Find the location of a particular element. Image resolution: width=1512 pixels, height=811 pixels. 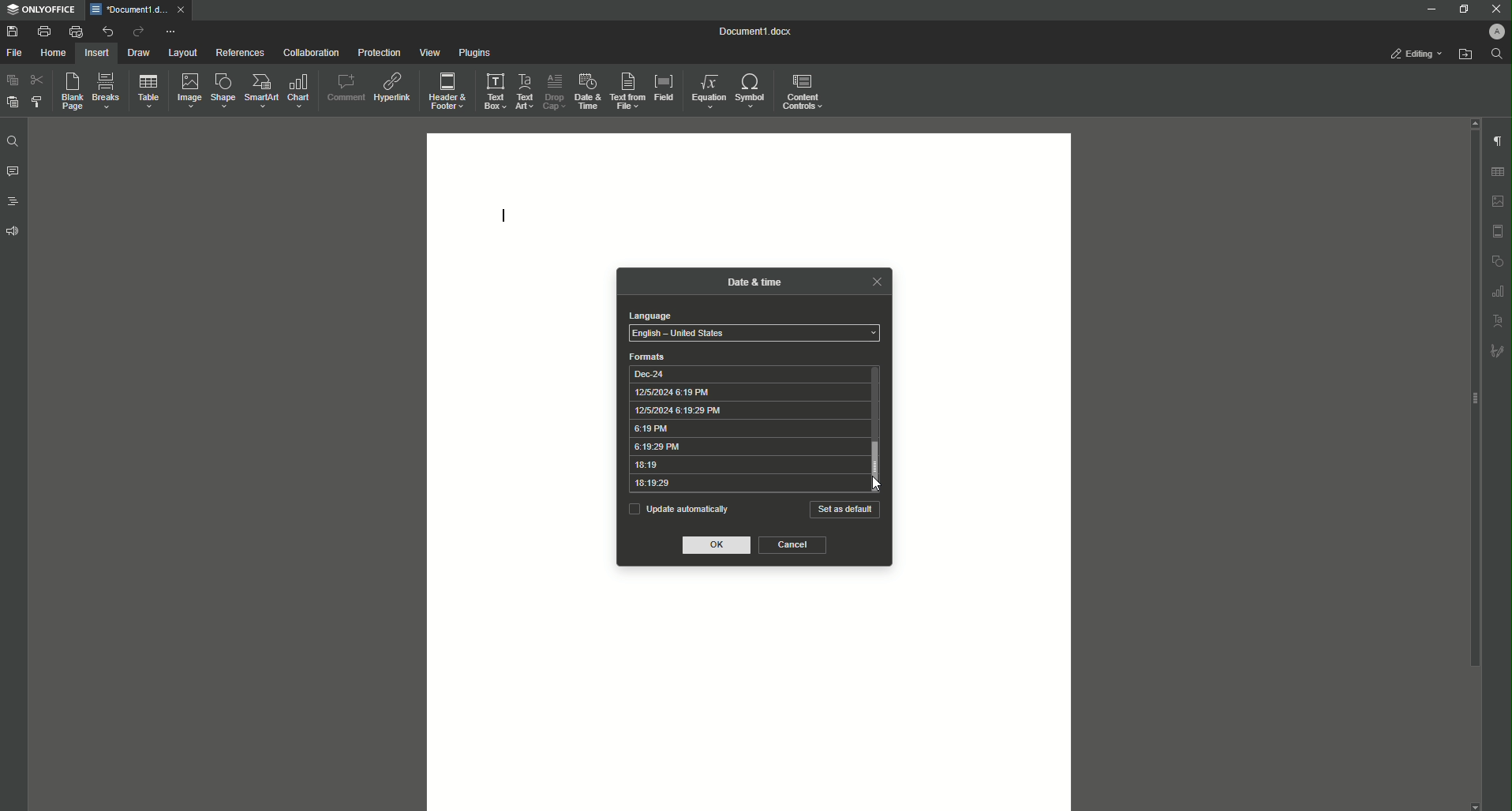

close is located at coordinates (876, 281).